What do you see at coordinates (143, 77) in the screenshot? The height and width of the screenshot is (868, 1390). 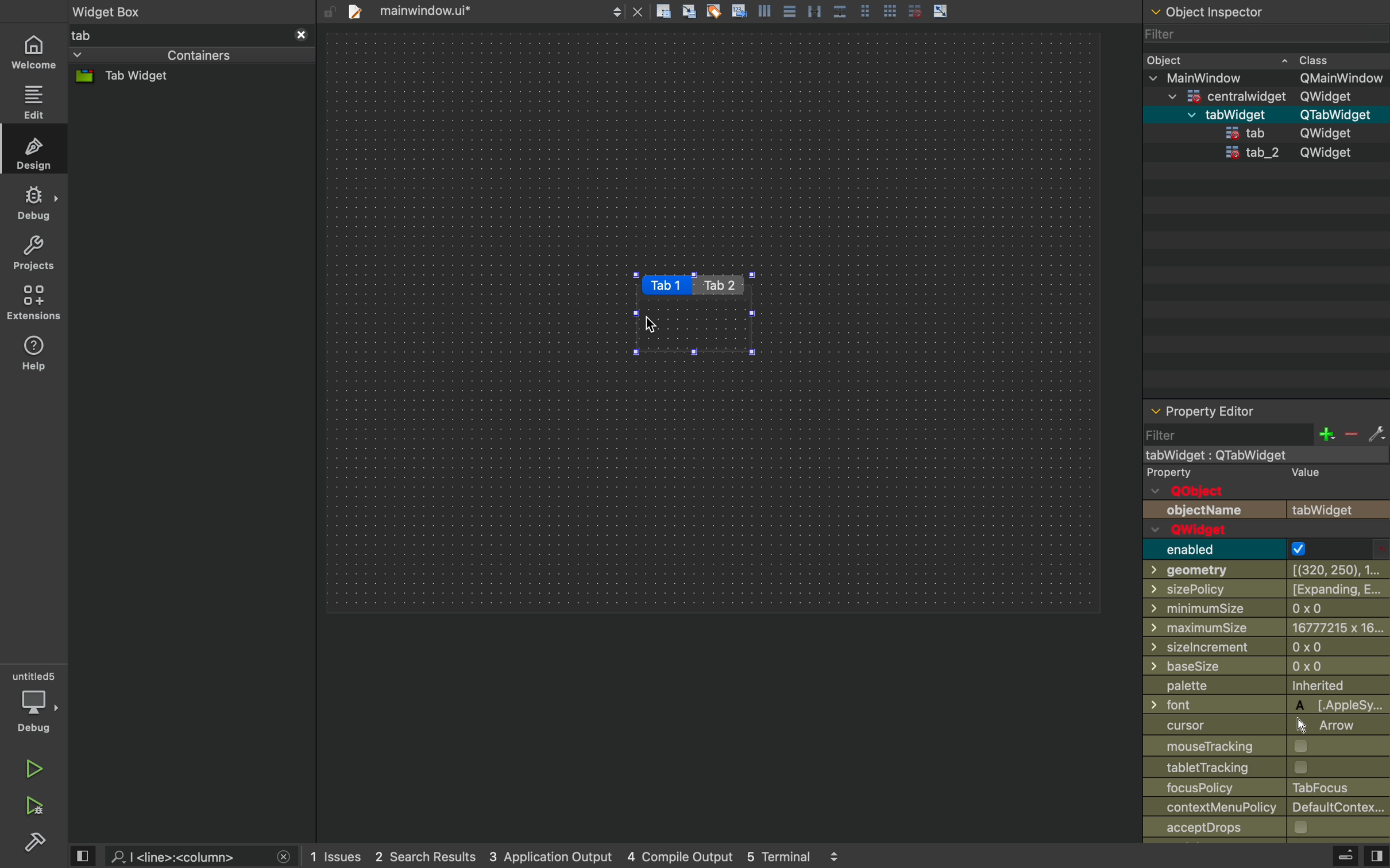 I see `tab widget` at bounding box center [143, 77].